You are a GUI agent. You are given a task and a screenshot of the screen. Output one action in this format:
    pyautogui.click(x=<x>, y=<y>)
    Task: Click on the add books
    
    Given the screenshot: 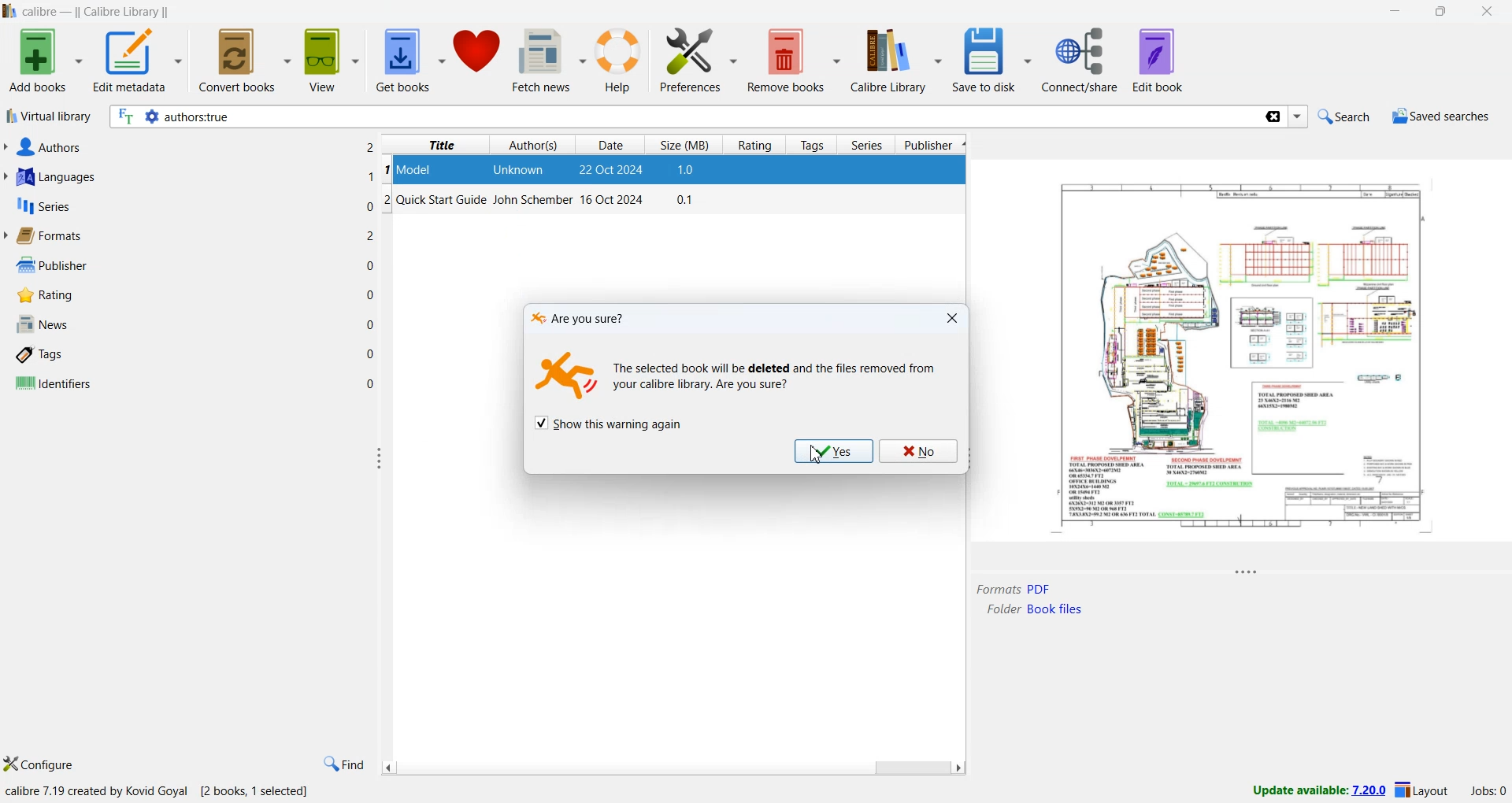 What is the action you would take?
    pyautogui.click(x=44, y=61)
    